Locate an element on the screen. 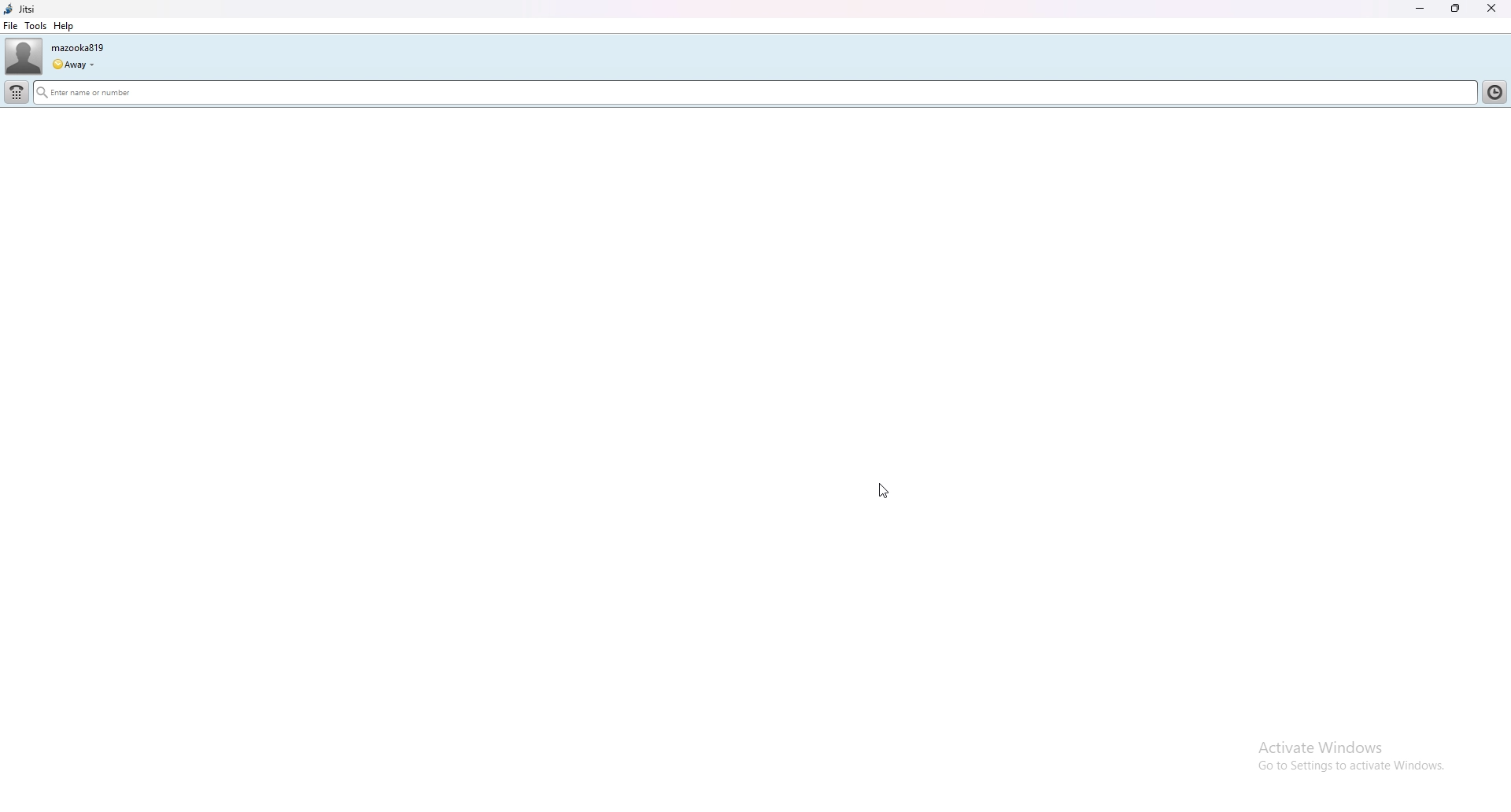 The image size is (1511, 812). file is located at coordinates (10, 26).